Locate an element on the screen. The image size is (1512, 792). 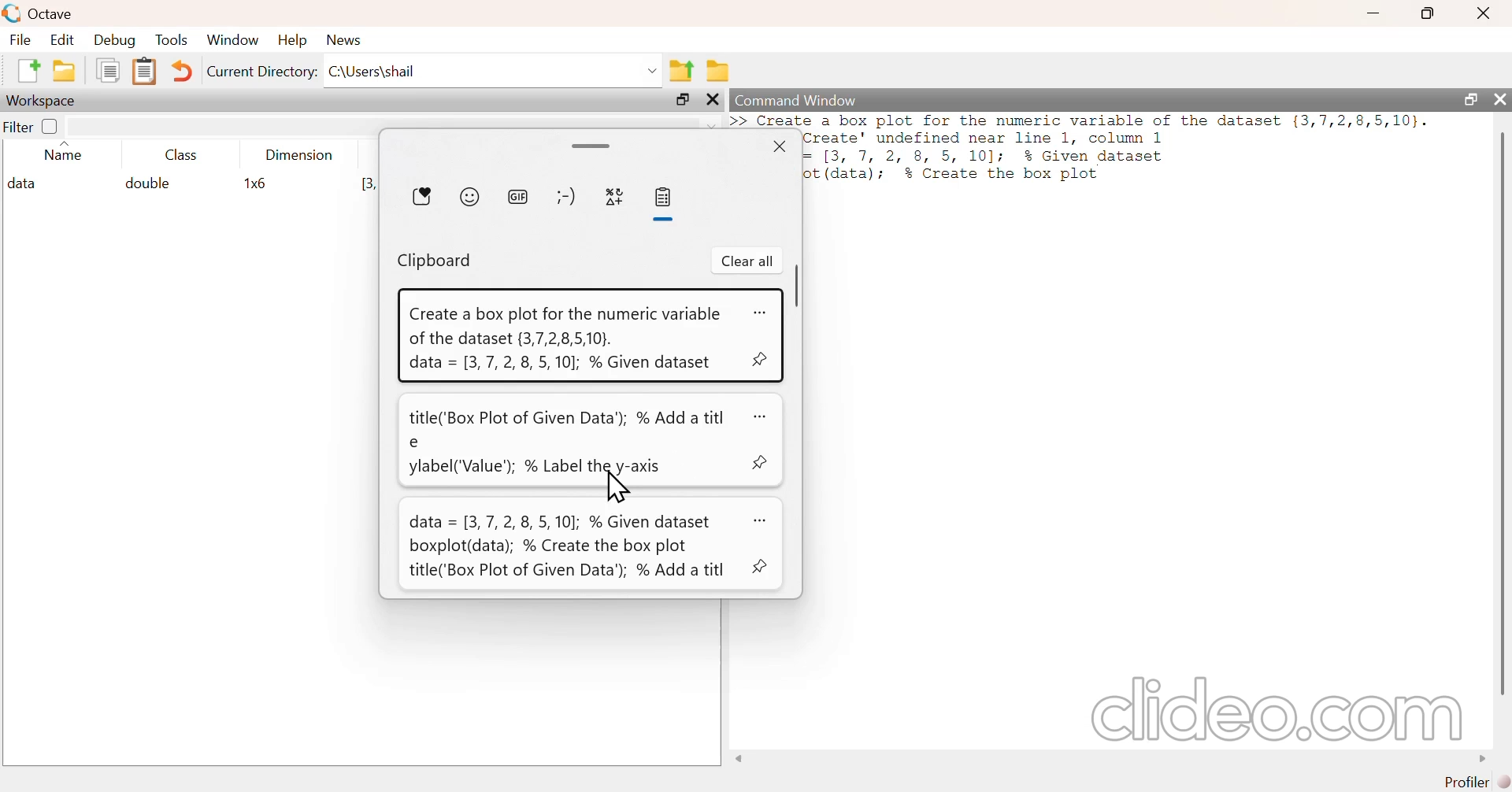
tools is located at coordinates (168, 40).